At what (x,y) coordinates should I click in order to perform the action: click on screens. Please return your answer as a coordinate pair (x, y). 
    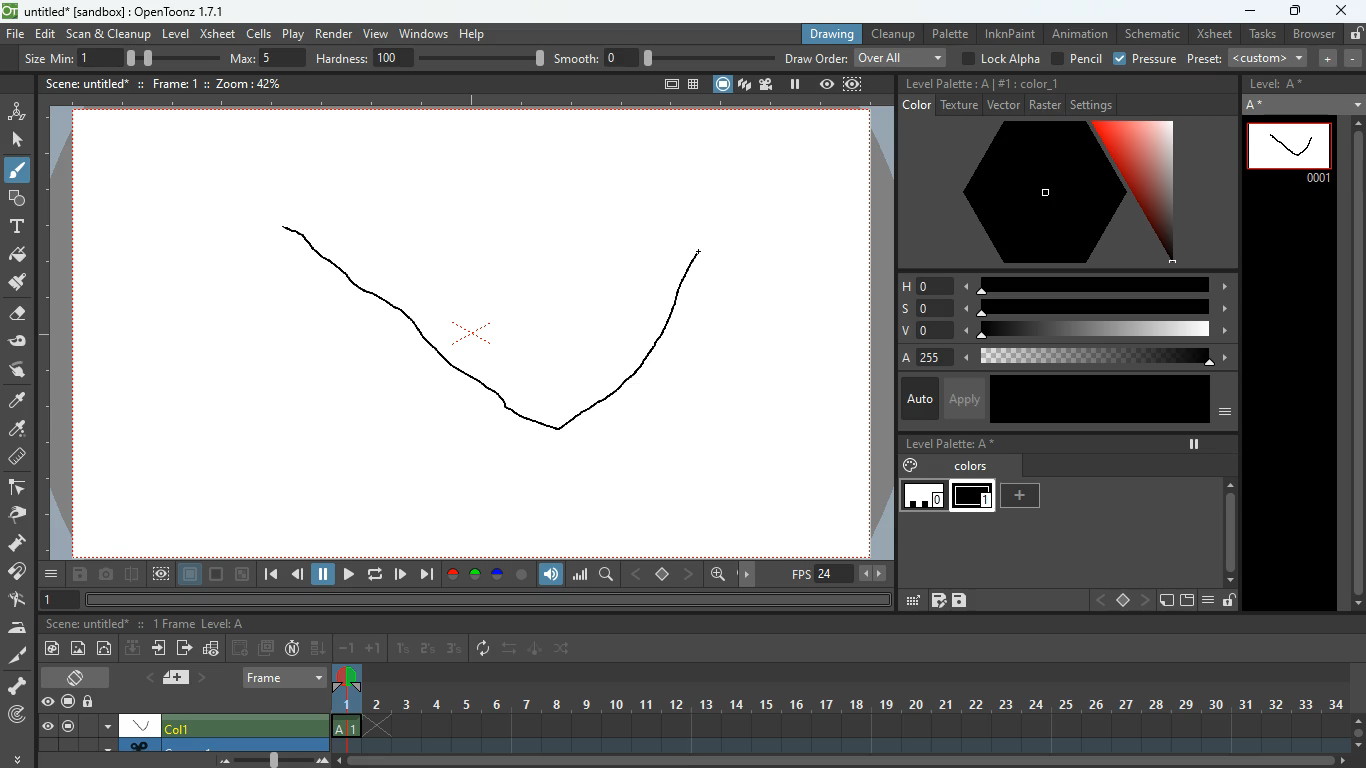
    Looking at the image, I should click on (744, 86).